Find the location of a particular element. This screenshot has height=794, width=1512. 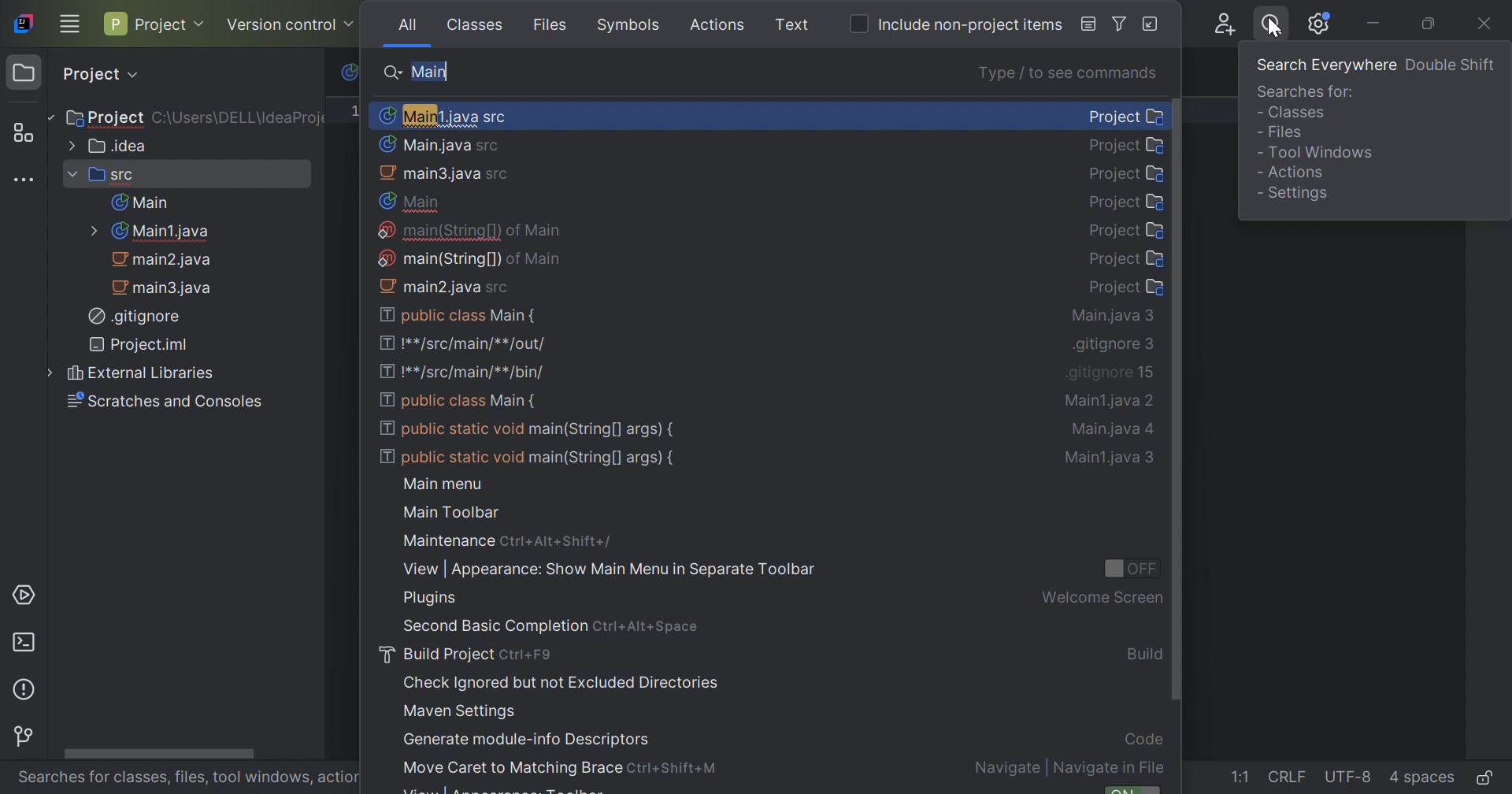

Project is located at coordinates (102, 118).